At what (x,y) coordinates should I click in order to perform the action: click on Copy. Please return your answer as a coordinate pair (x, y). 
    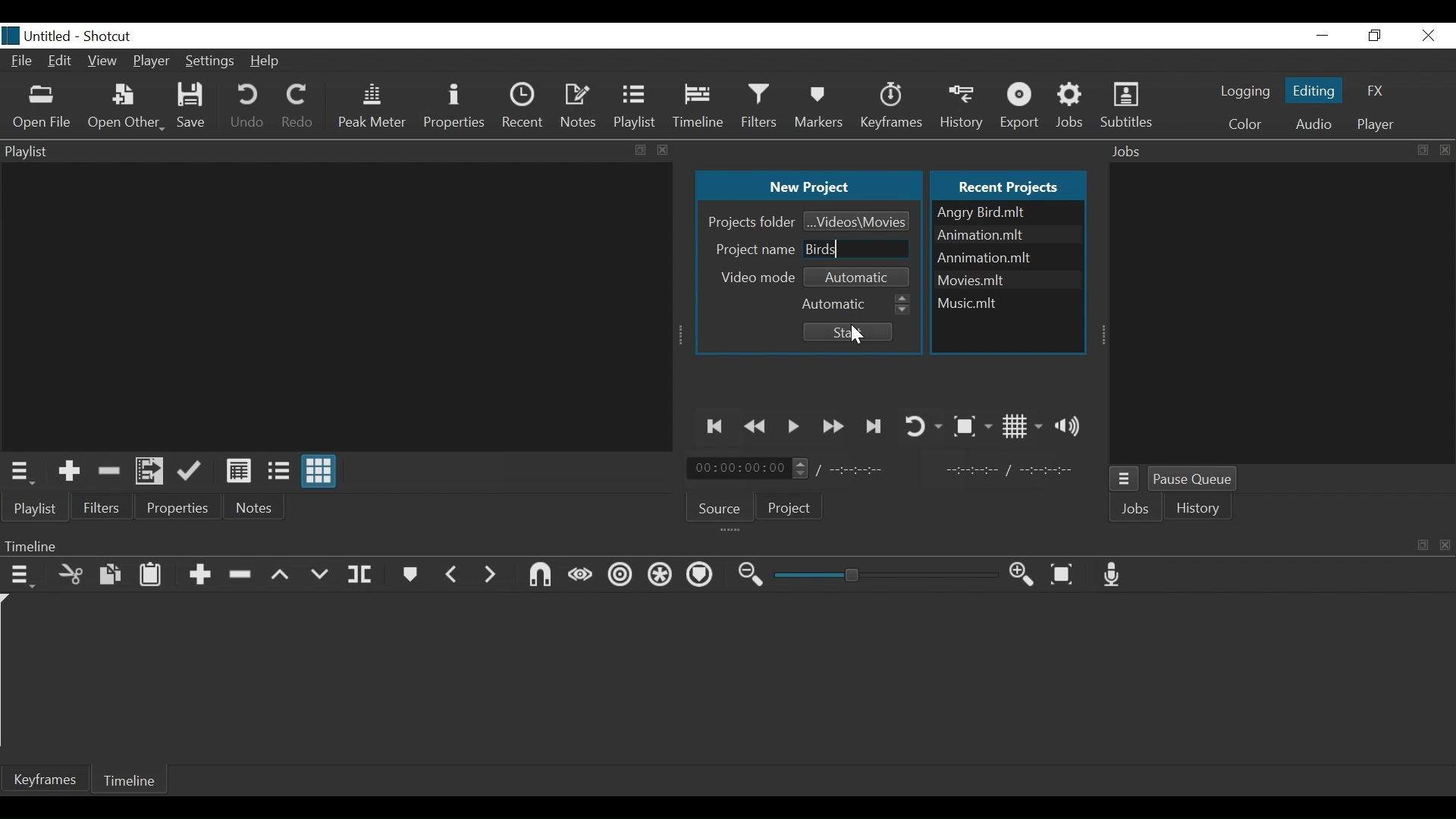
    Looking at the image, I should click on (111, 575).